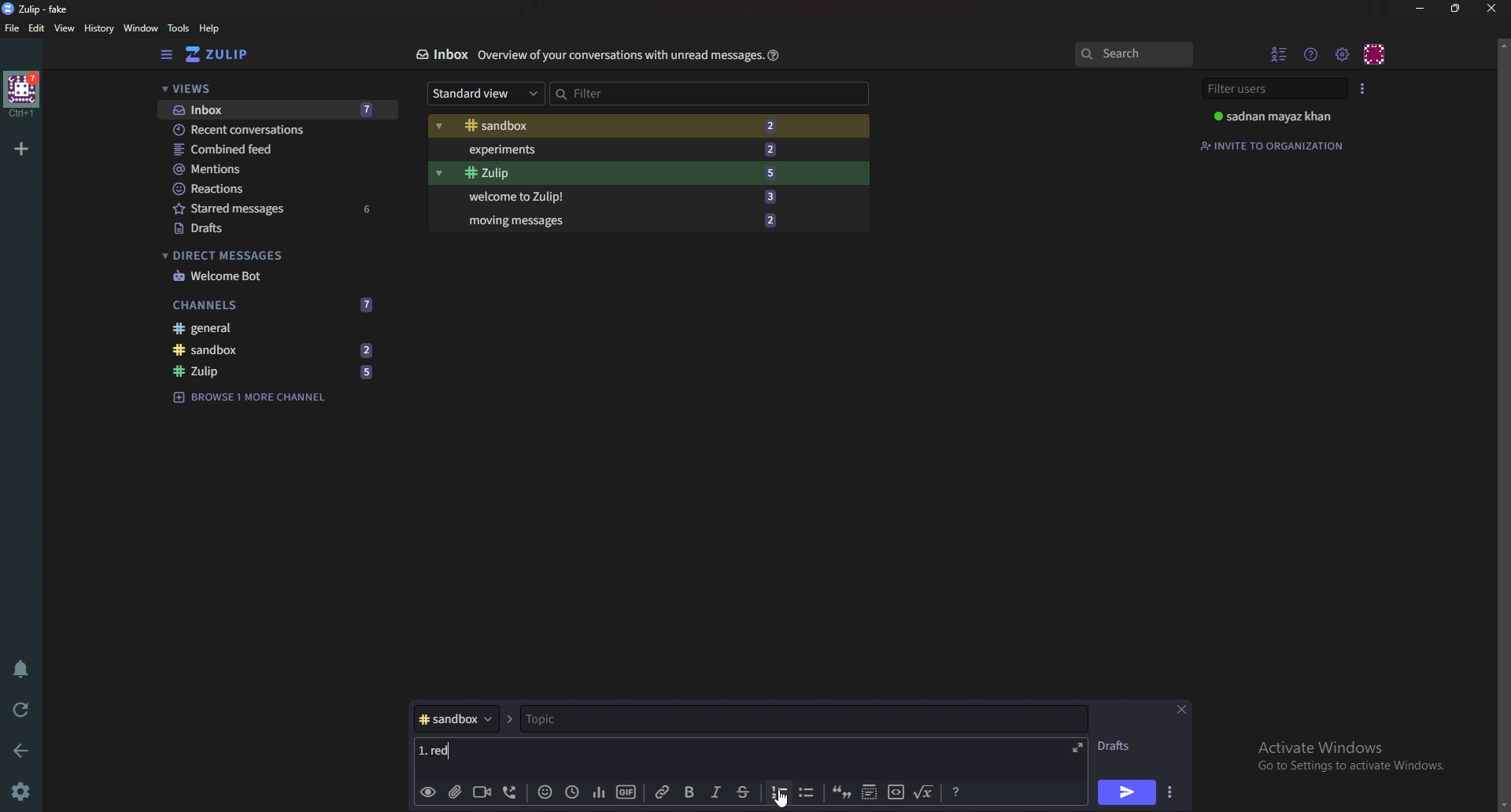 The width and height of the screenshot is (1511, 812). What do you see at coordinates (779, 792) in the screenshot?
I see `number list` at bounding box center [779, 792].